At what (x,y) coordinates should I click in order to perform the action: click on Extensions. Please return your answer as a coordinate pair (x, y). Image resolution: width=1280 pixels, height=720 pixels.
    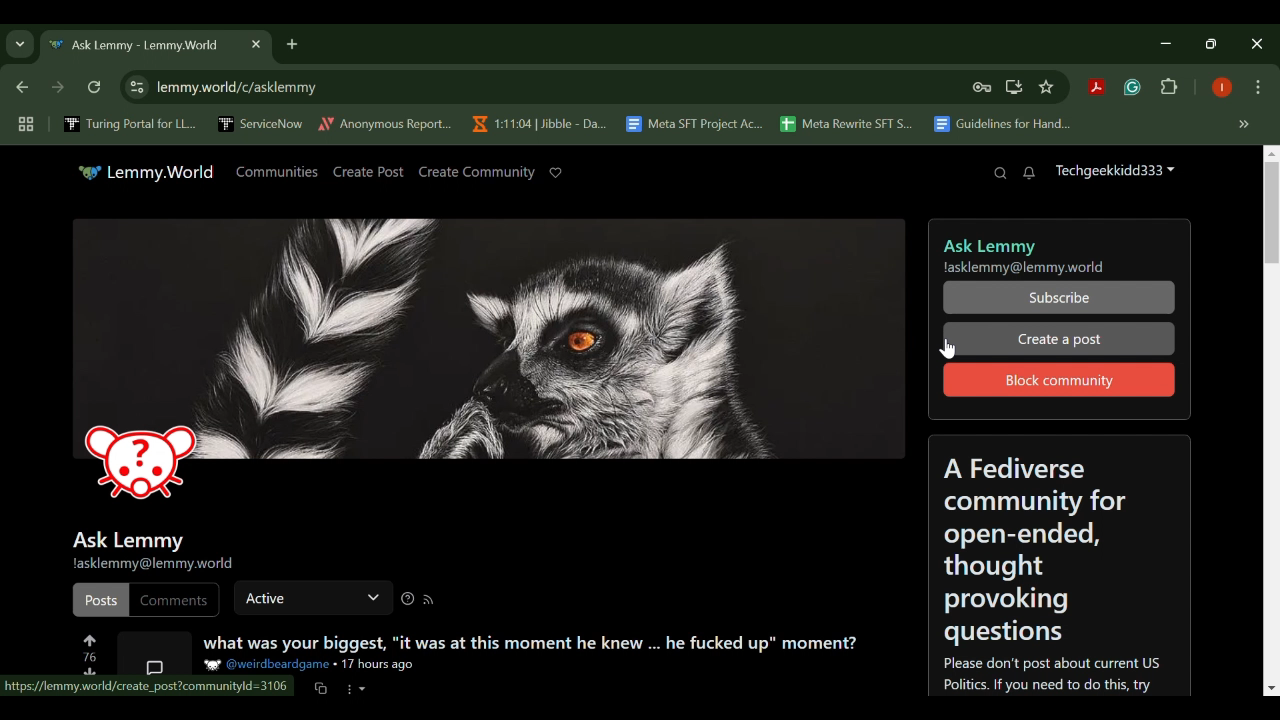
    Looking at the image, I should click on (1170, 88).